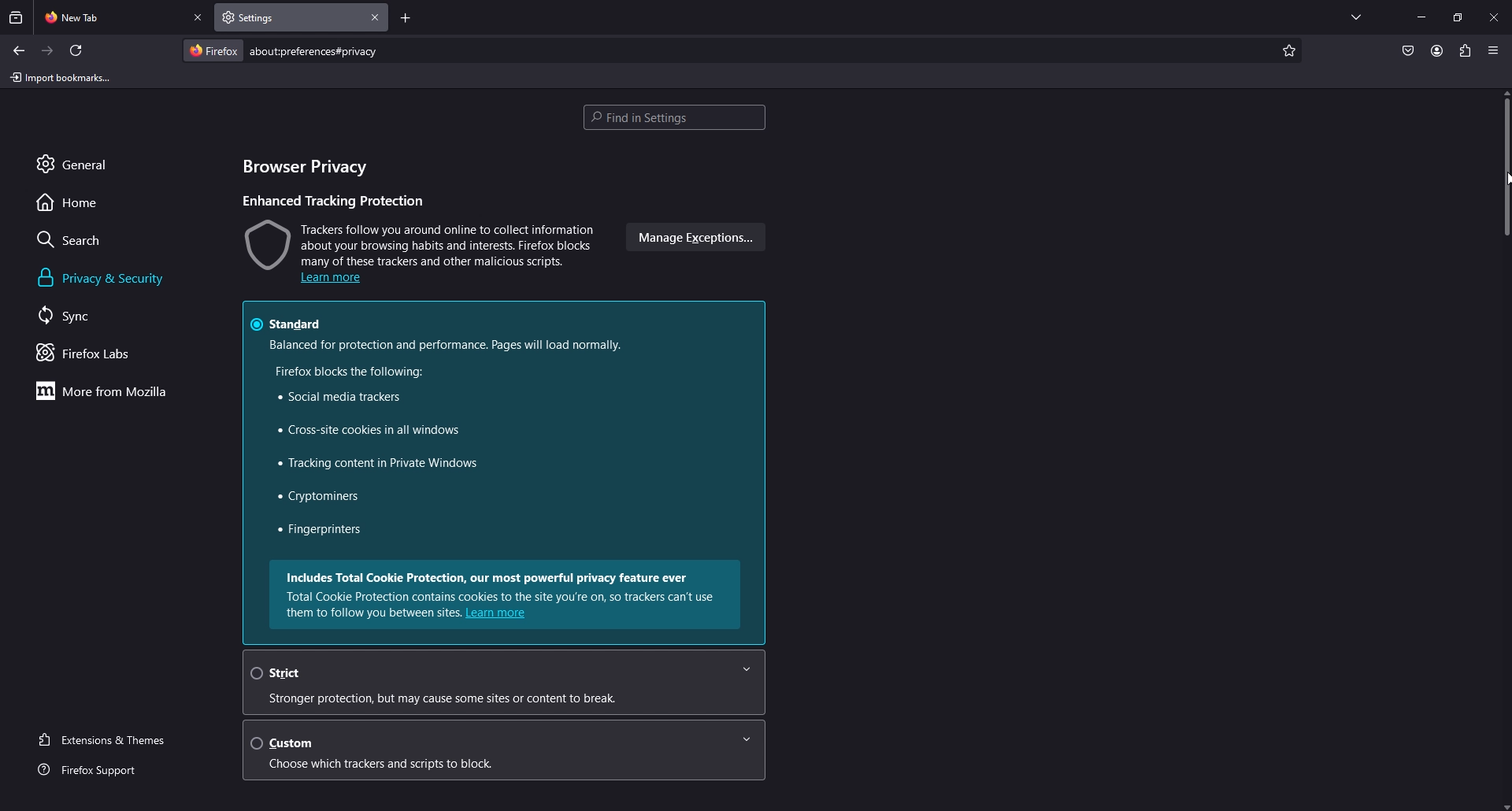  What do you see at coordinates (1503, 170) in the screenshot?
I see `vertical scrollbar` at bounding box center [1503, 170].